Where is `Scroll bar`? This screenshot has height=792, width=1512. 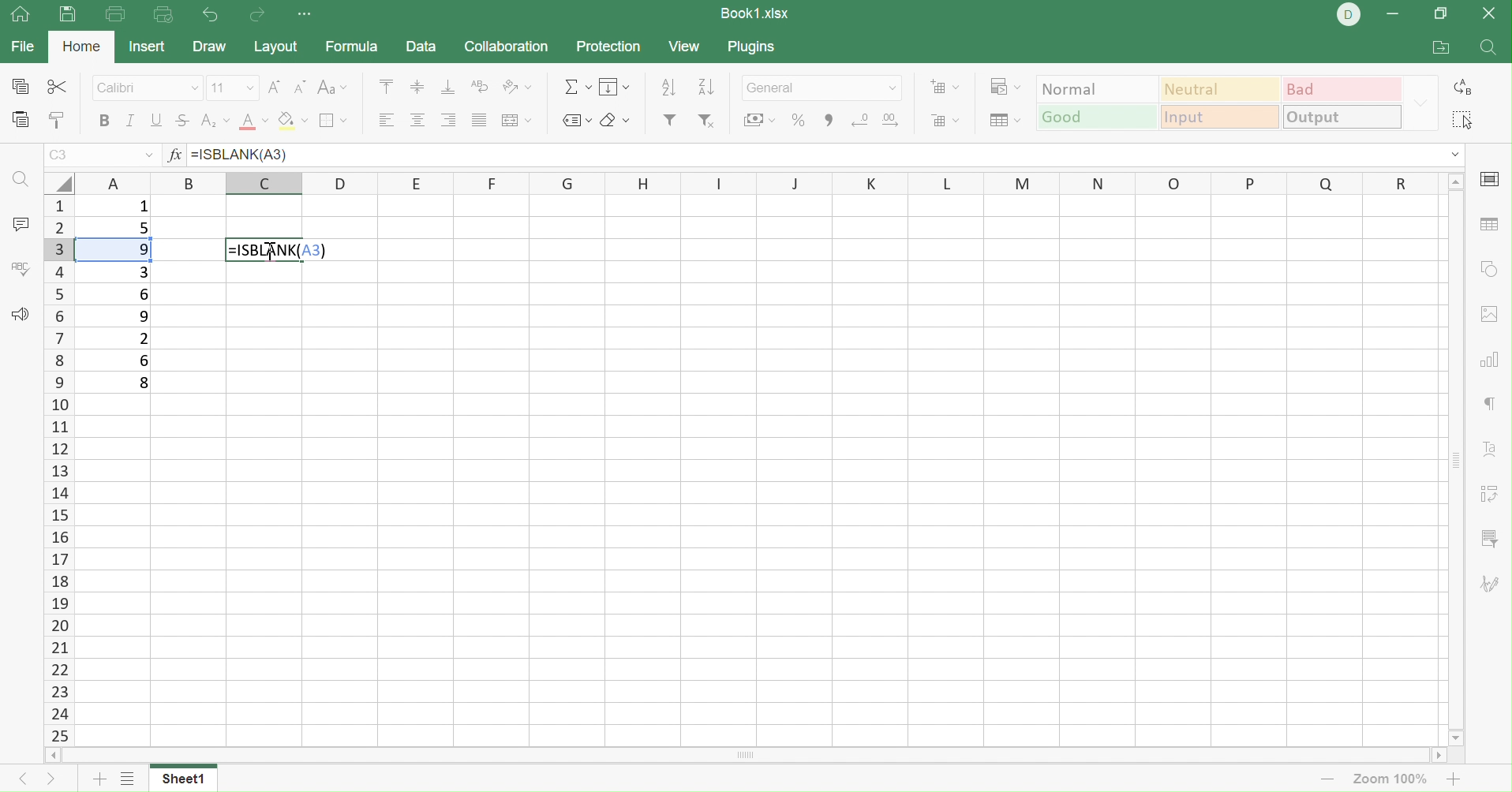
Scroll bar is located at coordinates (747, 756).